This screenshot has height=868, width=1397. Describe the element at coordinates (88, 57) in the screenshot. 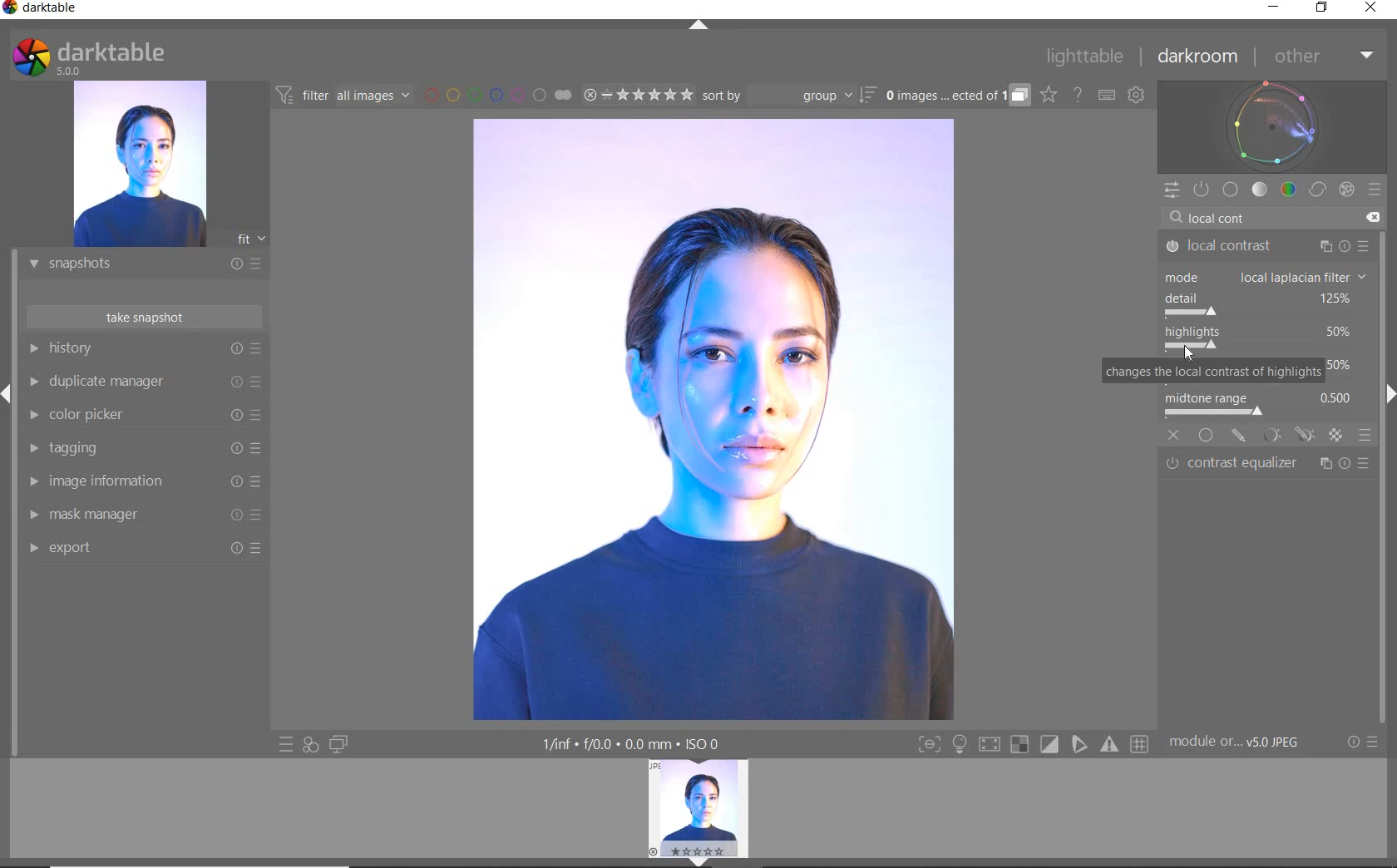

I see `SYSTEM LOGO` at that location.